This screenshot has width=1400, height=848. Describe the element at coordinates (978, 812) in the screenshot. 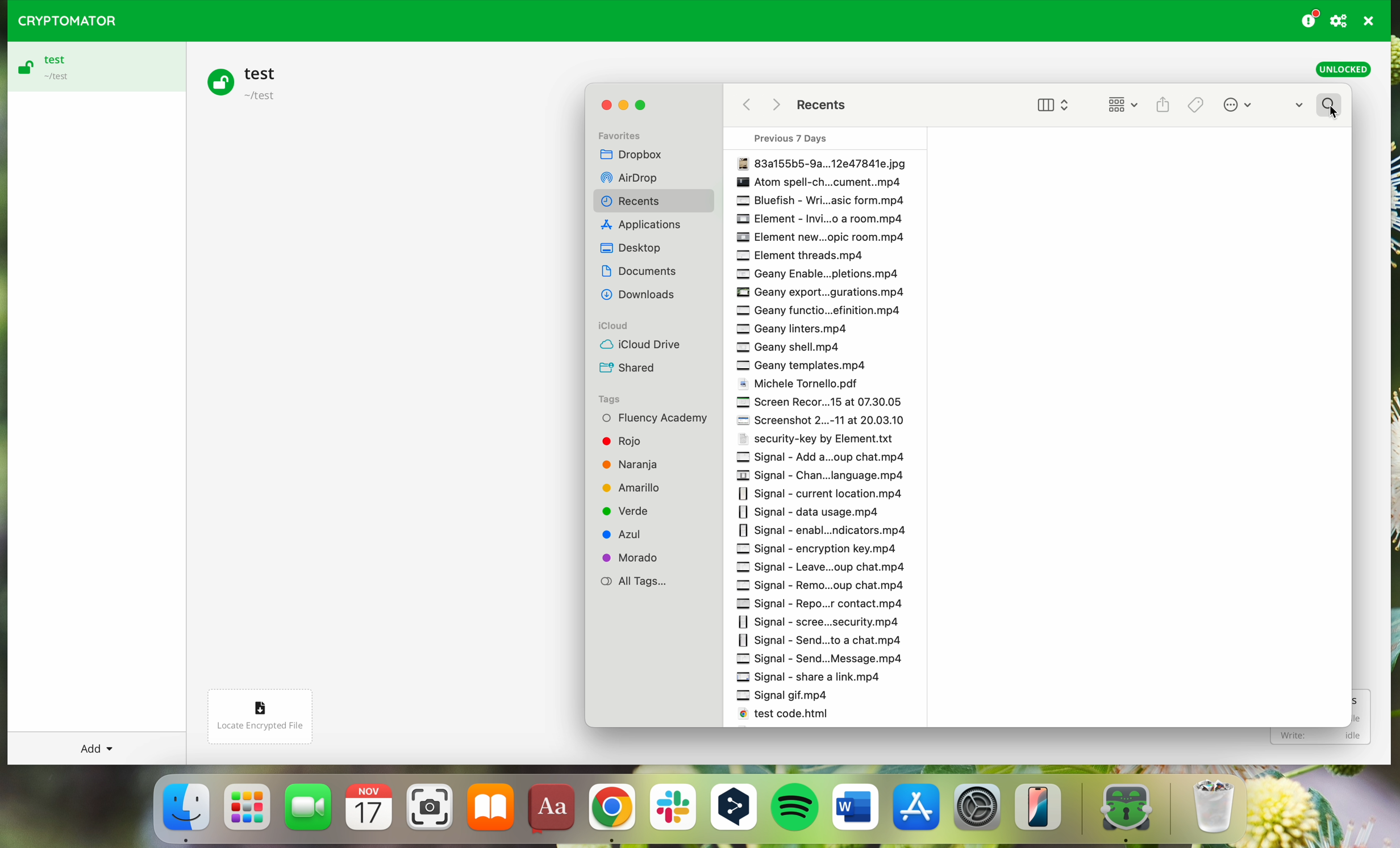

I see `settings` at that location.